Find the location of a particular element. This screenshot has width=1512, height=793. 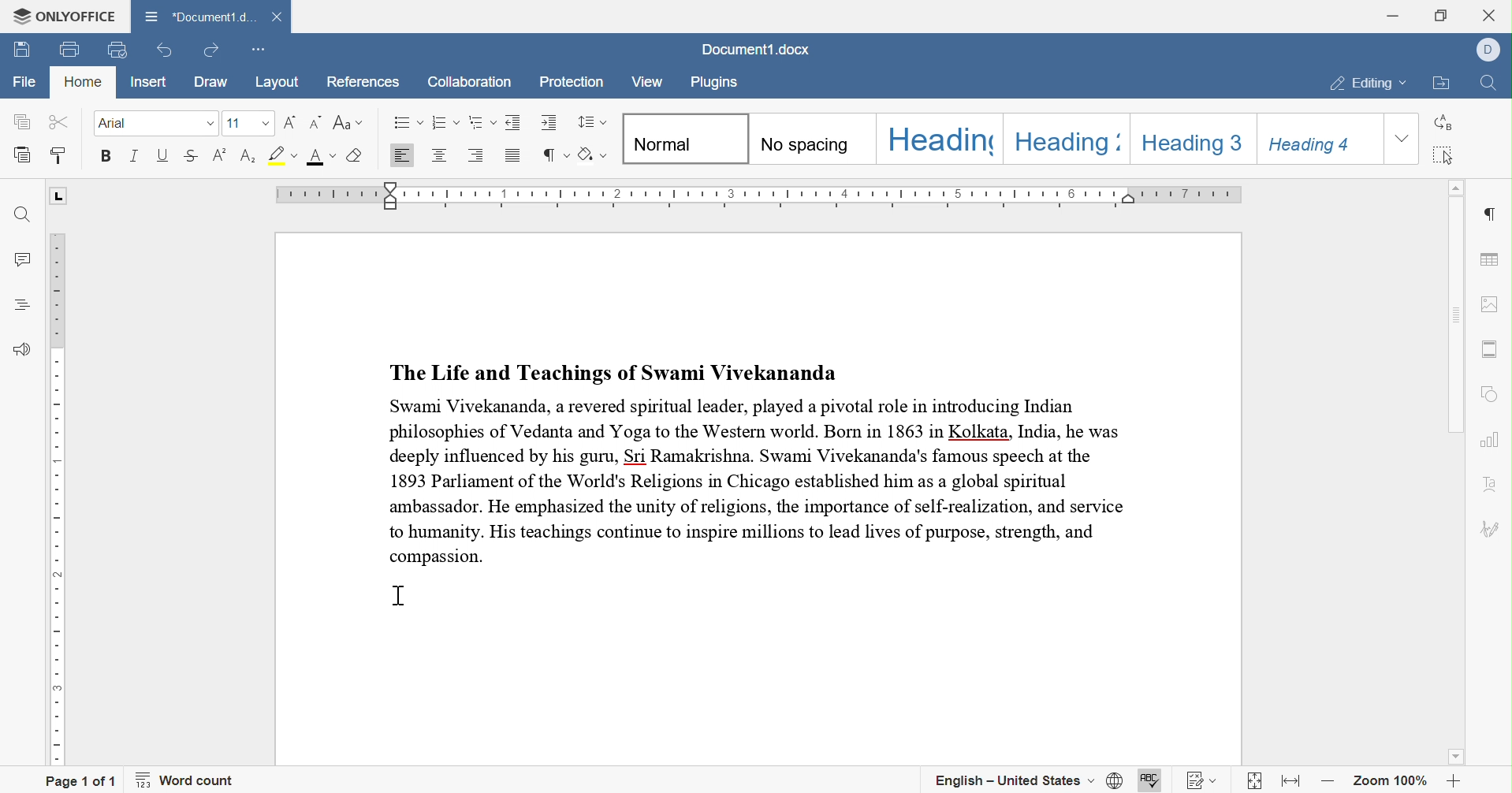

paste is located at coordinates (23, 154).